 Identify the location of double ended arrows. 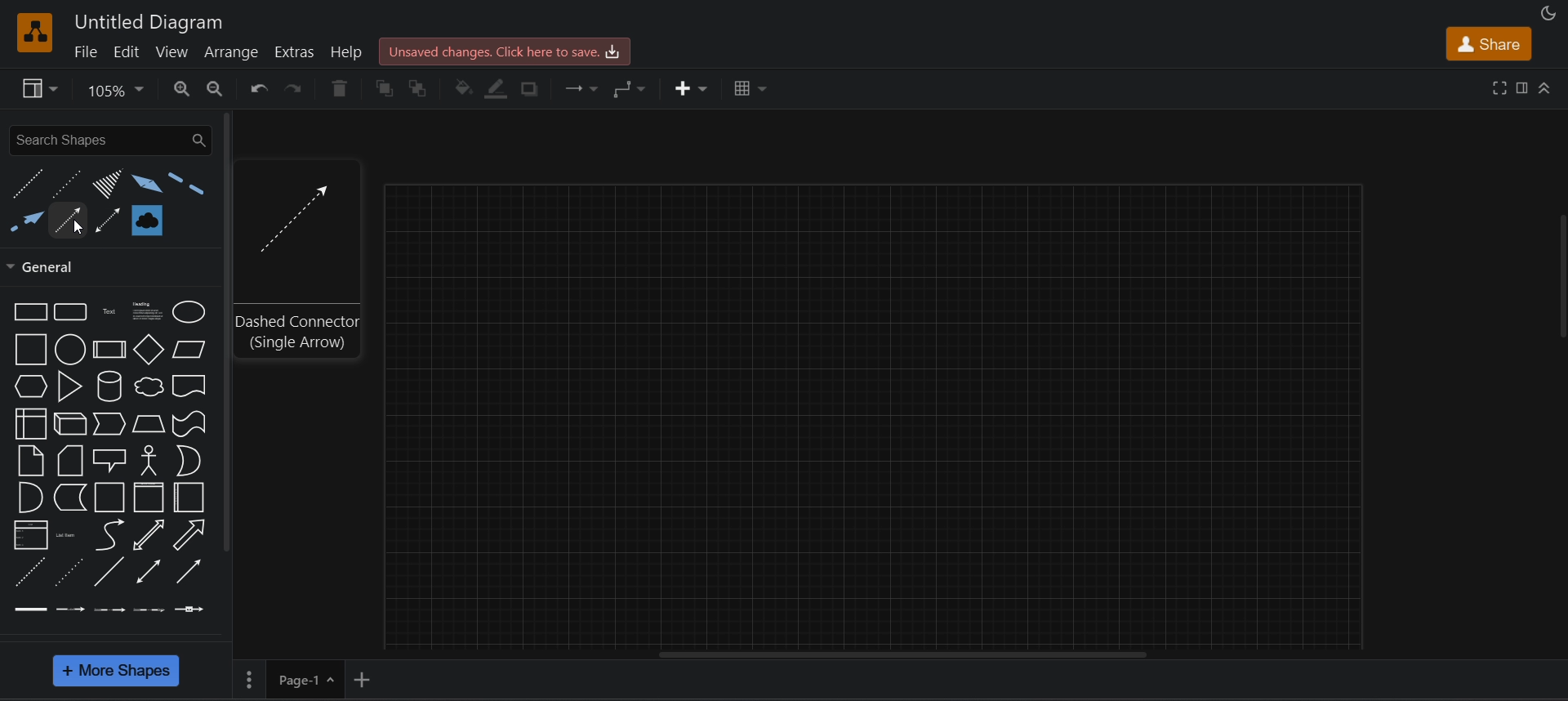
(109, 219).